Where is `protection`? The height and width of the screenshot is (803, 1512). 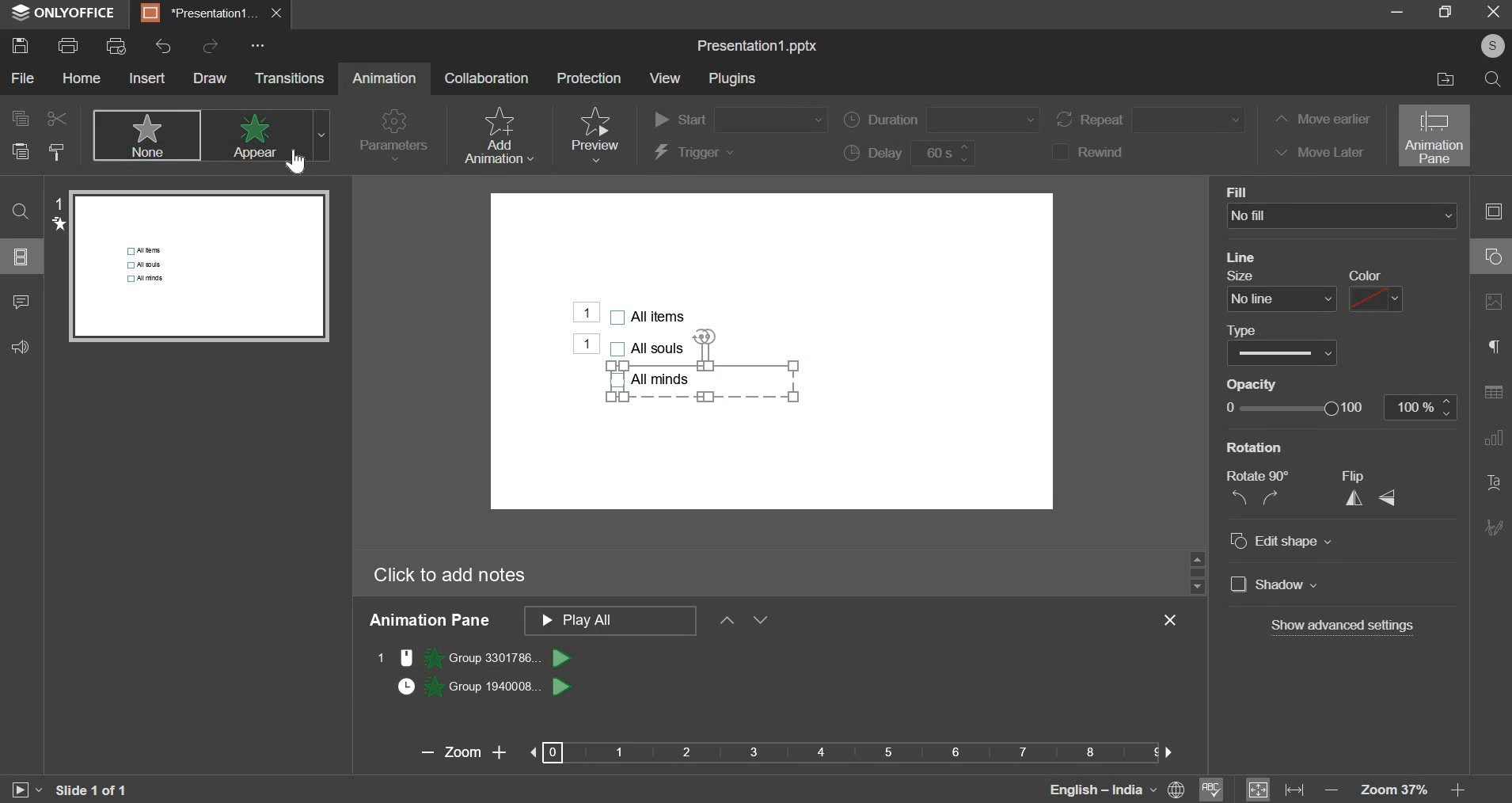
protection is located at coordinates (587, 78).